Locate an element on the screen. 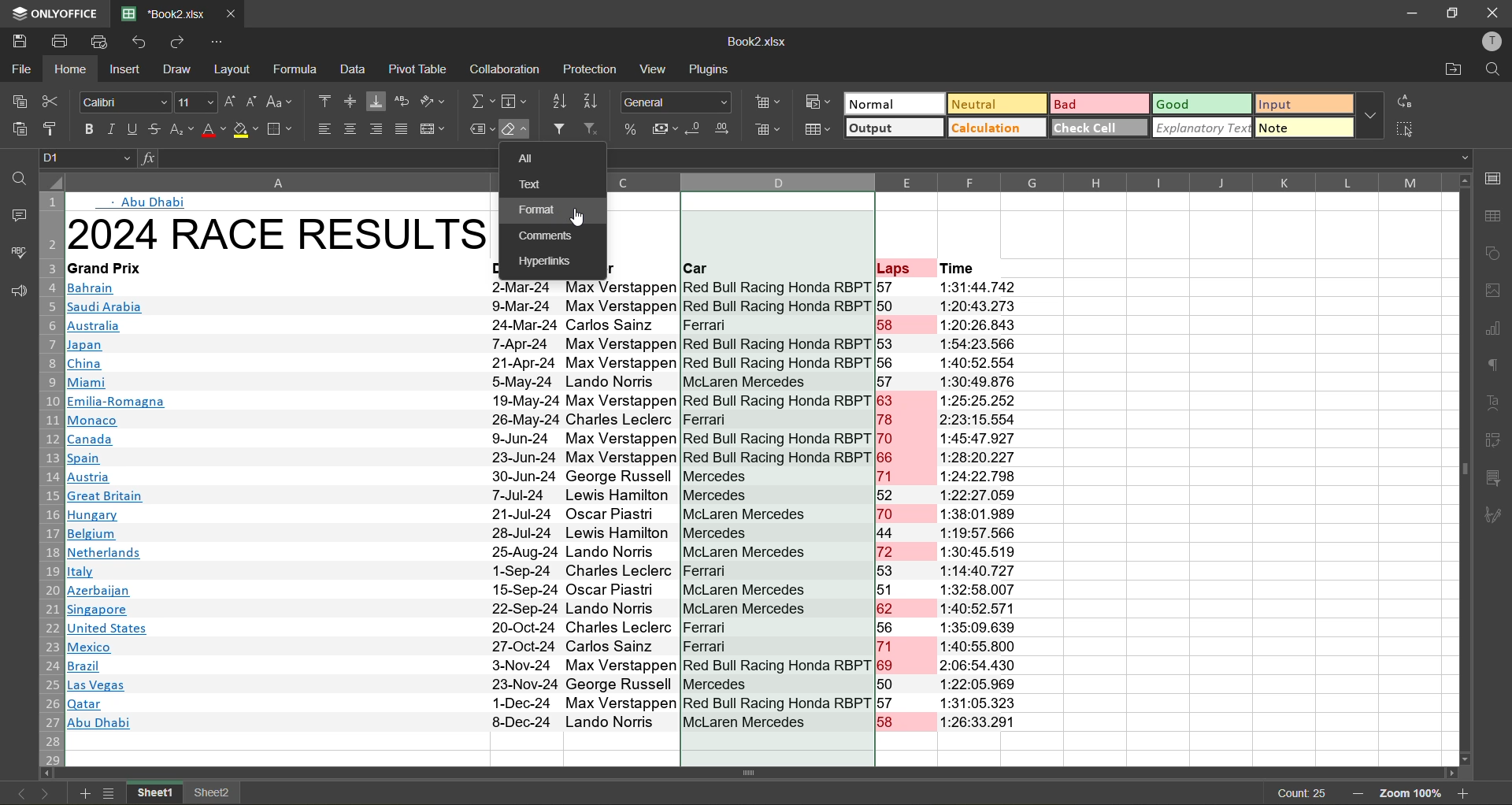  General is located at coordinates (675, 100).